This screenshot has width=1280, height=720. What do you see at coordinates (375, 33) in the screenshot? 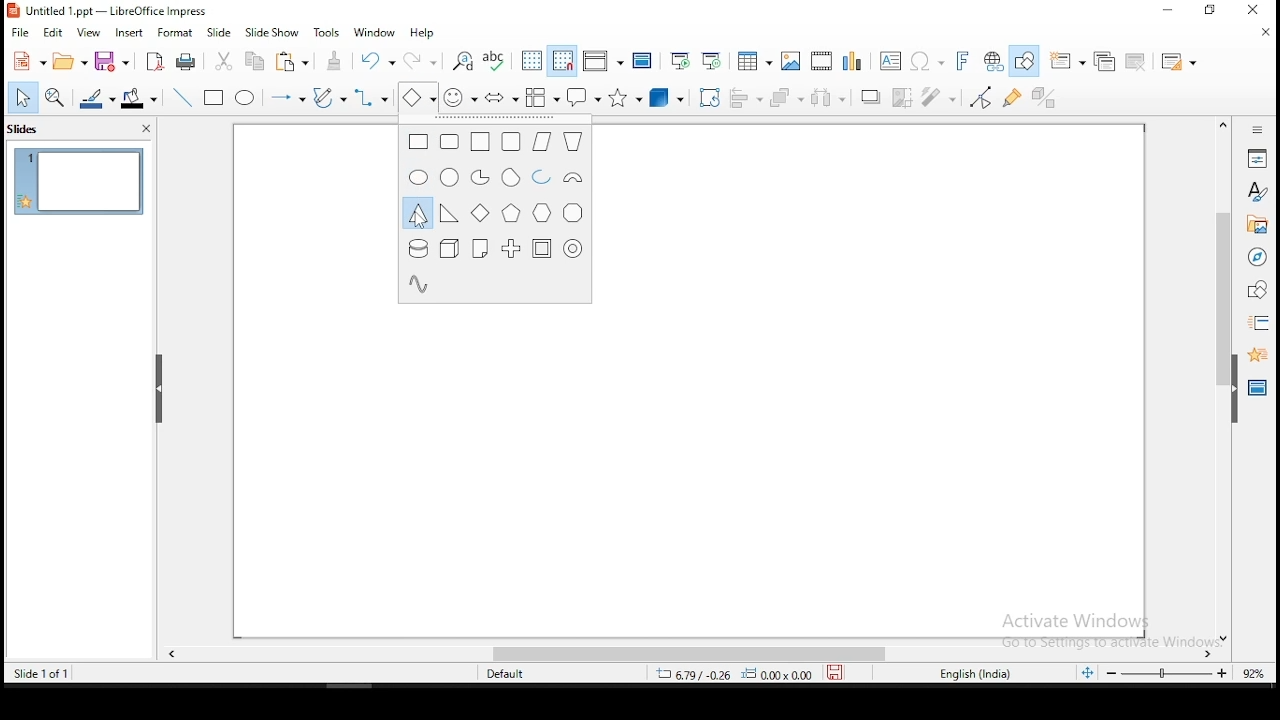
I see `window` at bounding box center [375, 33].